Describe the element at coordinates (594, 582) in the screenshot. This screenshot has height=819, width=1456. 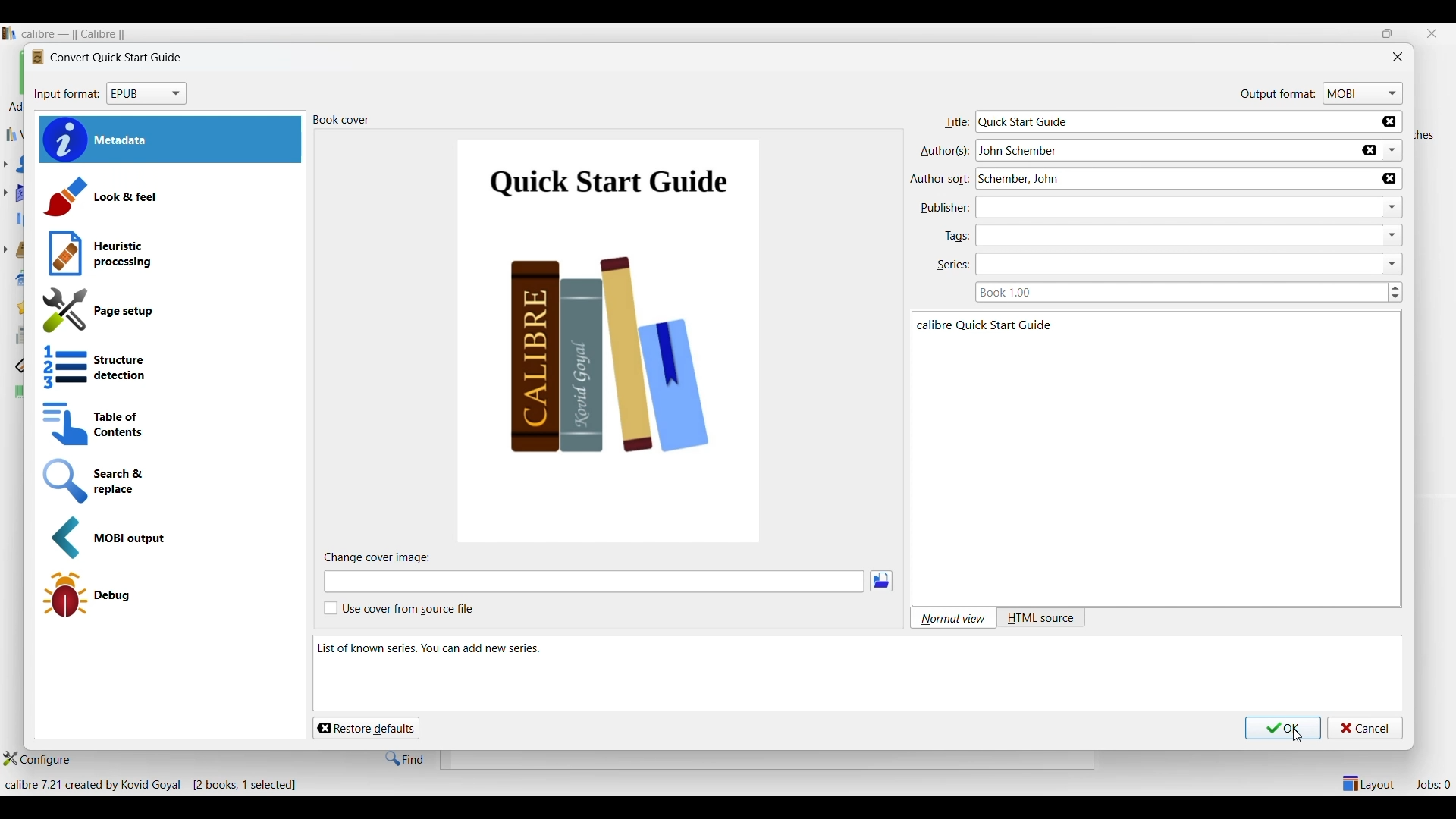
I see `Type in cover image file name` at that location.